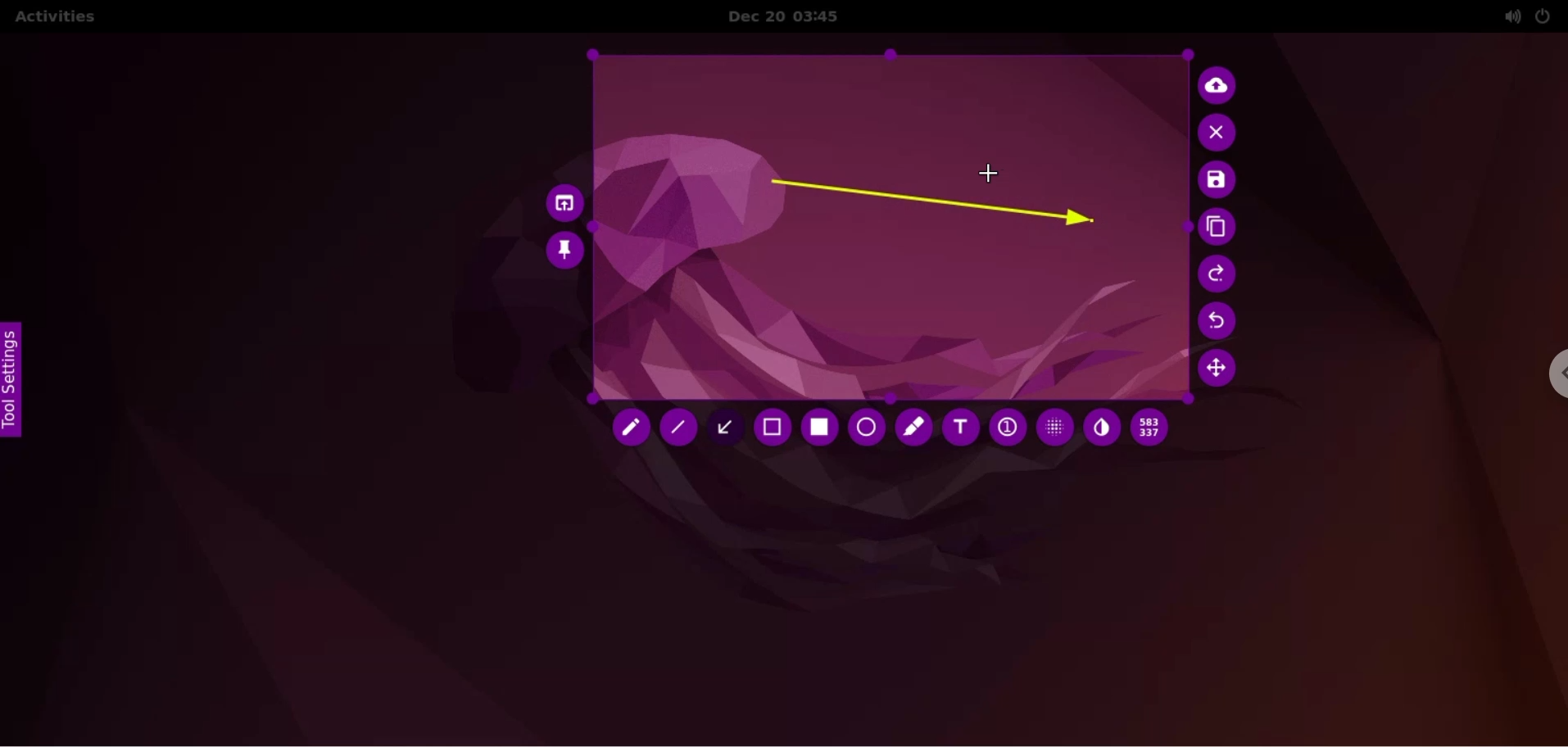 The image size is (1568, 747). What do you see at coordinates (993, 174) in the screenshot?
I see `cursor` at bounding box center [993, 174].